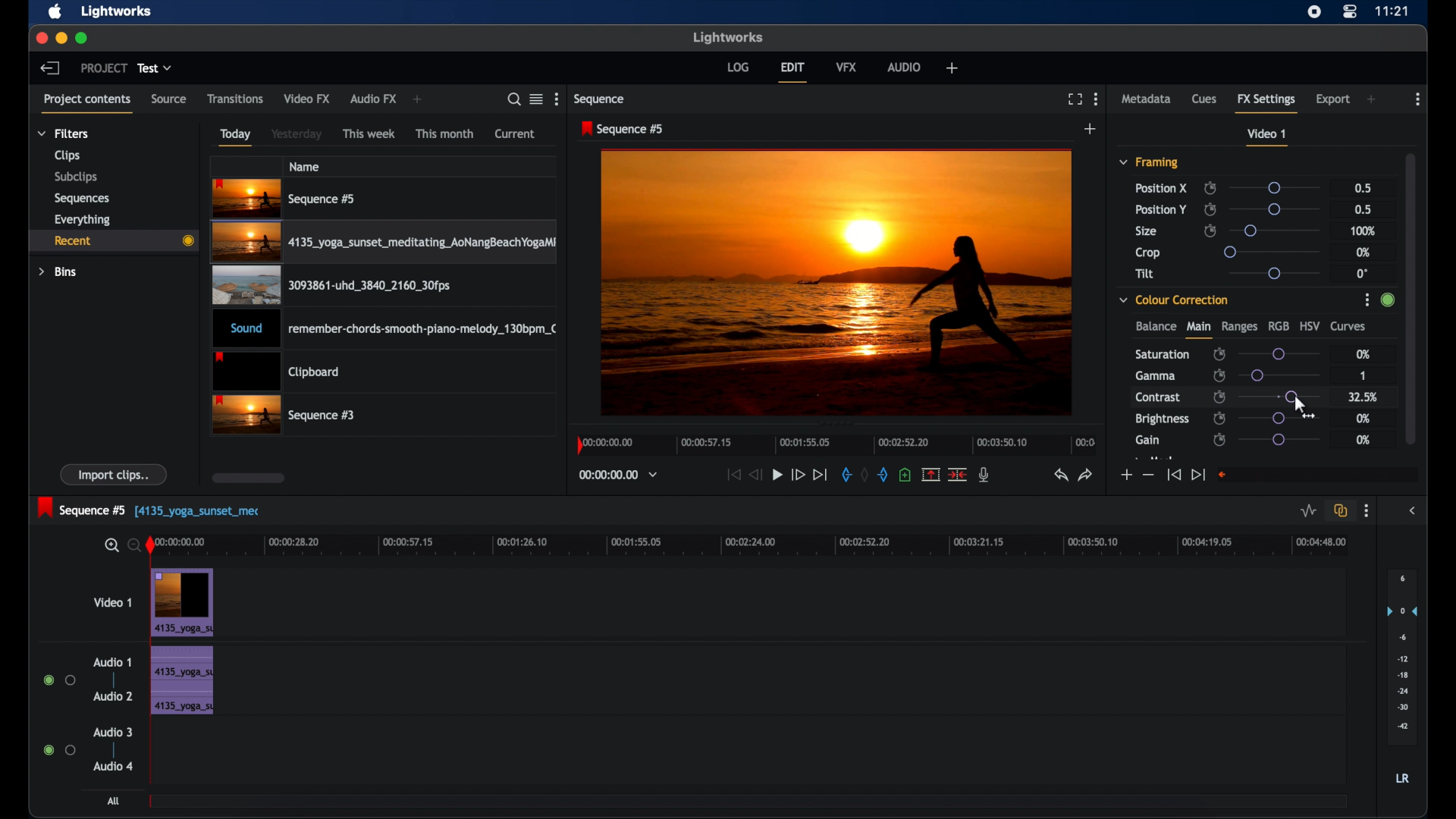  Describe the element at coordinates (1125, 475) in the screenshot. I see `increment` at that location.